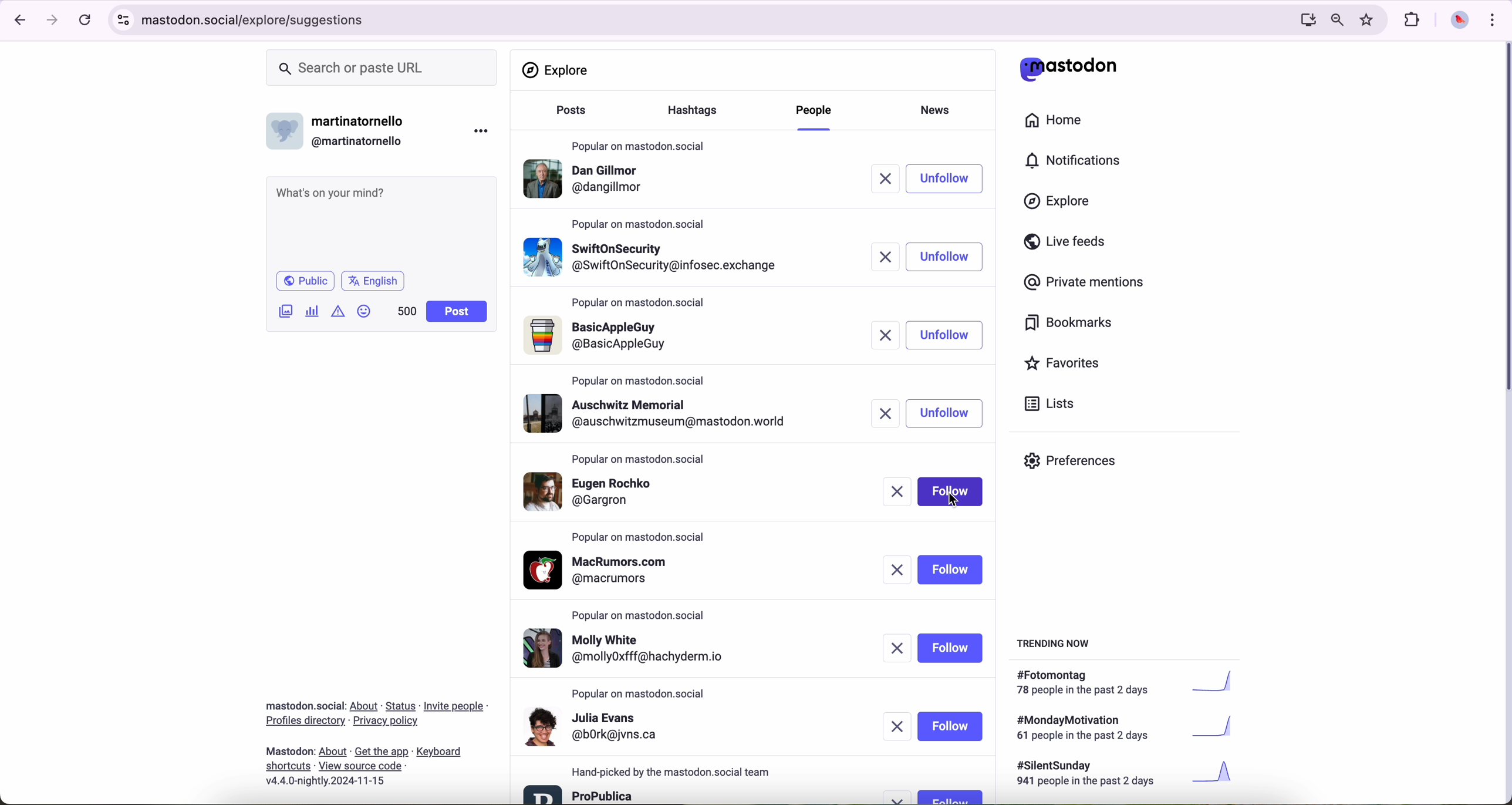  What do you see at coordinates (604, 570) in the screenshot?
I see `profile` at bounding box center [604, 570].